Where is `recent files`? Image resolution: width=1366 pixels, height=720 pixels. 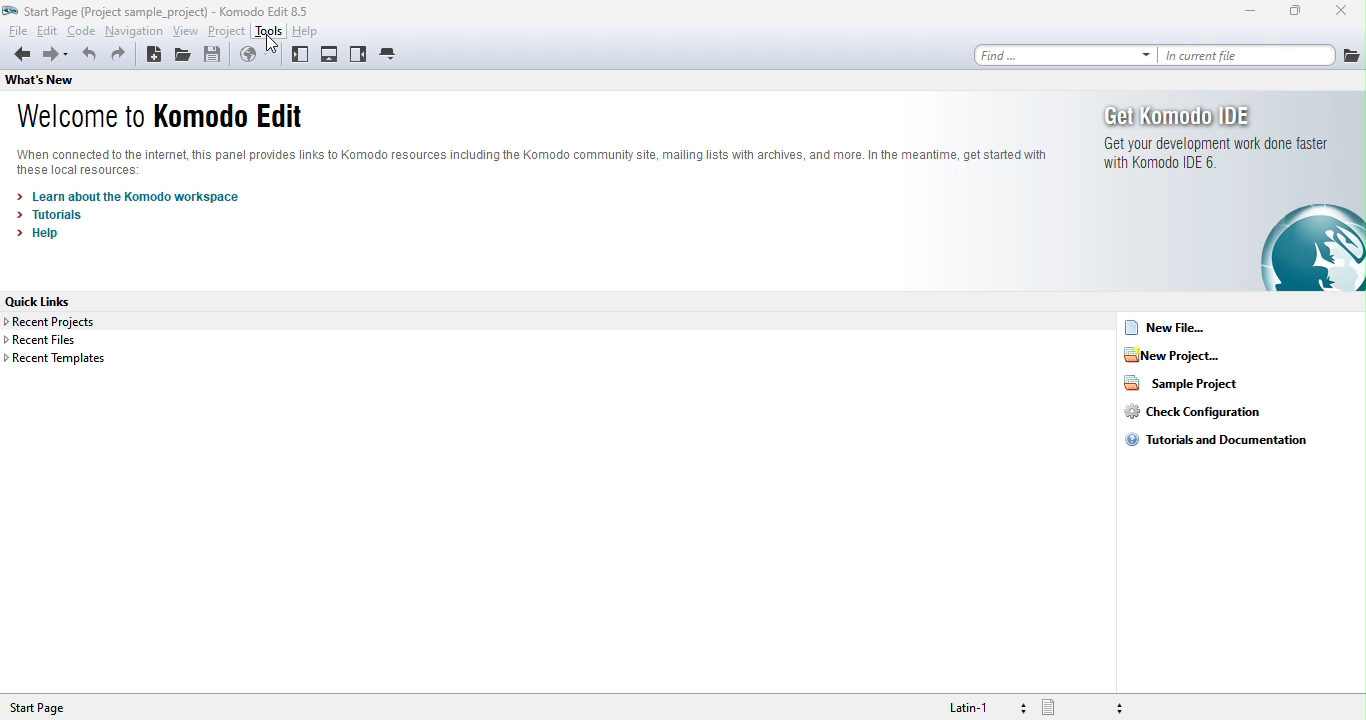 recent files is located at coordinates (55, 341).